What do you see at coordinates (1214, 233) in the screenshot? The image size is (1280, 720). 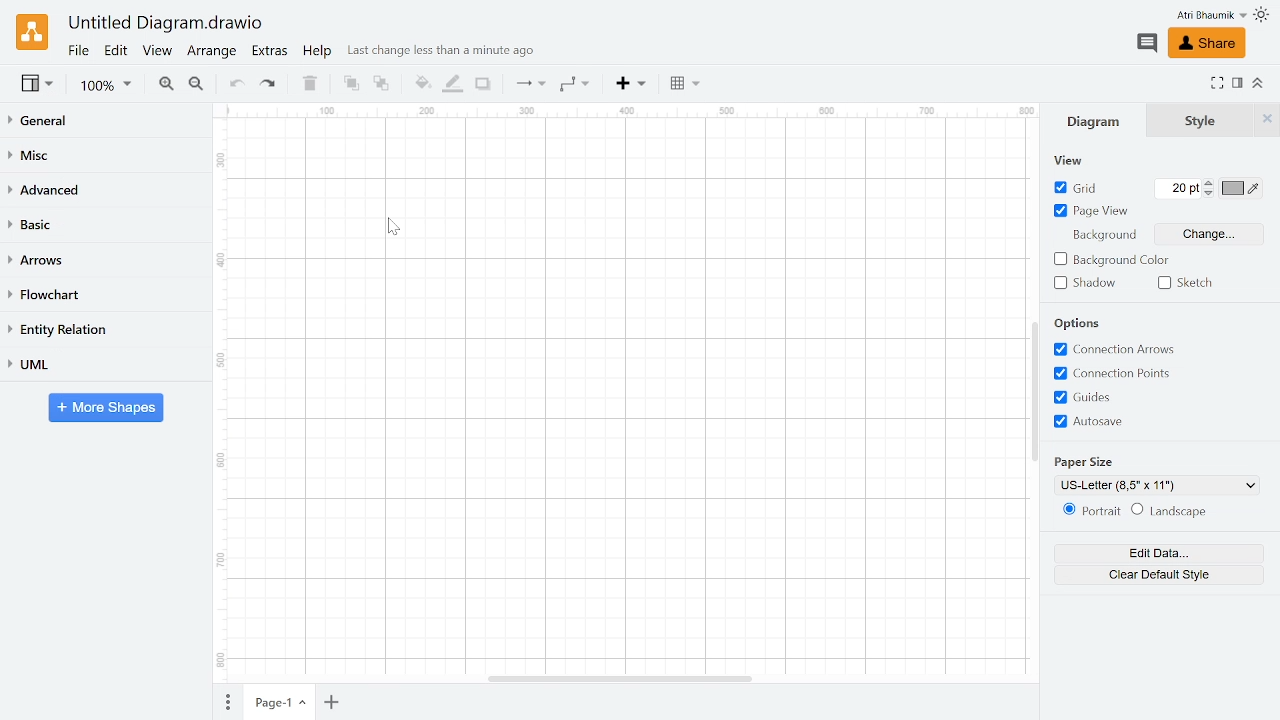 I see `Change background` at bounding box center [1214, 233].